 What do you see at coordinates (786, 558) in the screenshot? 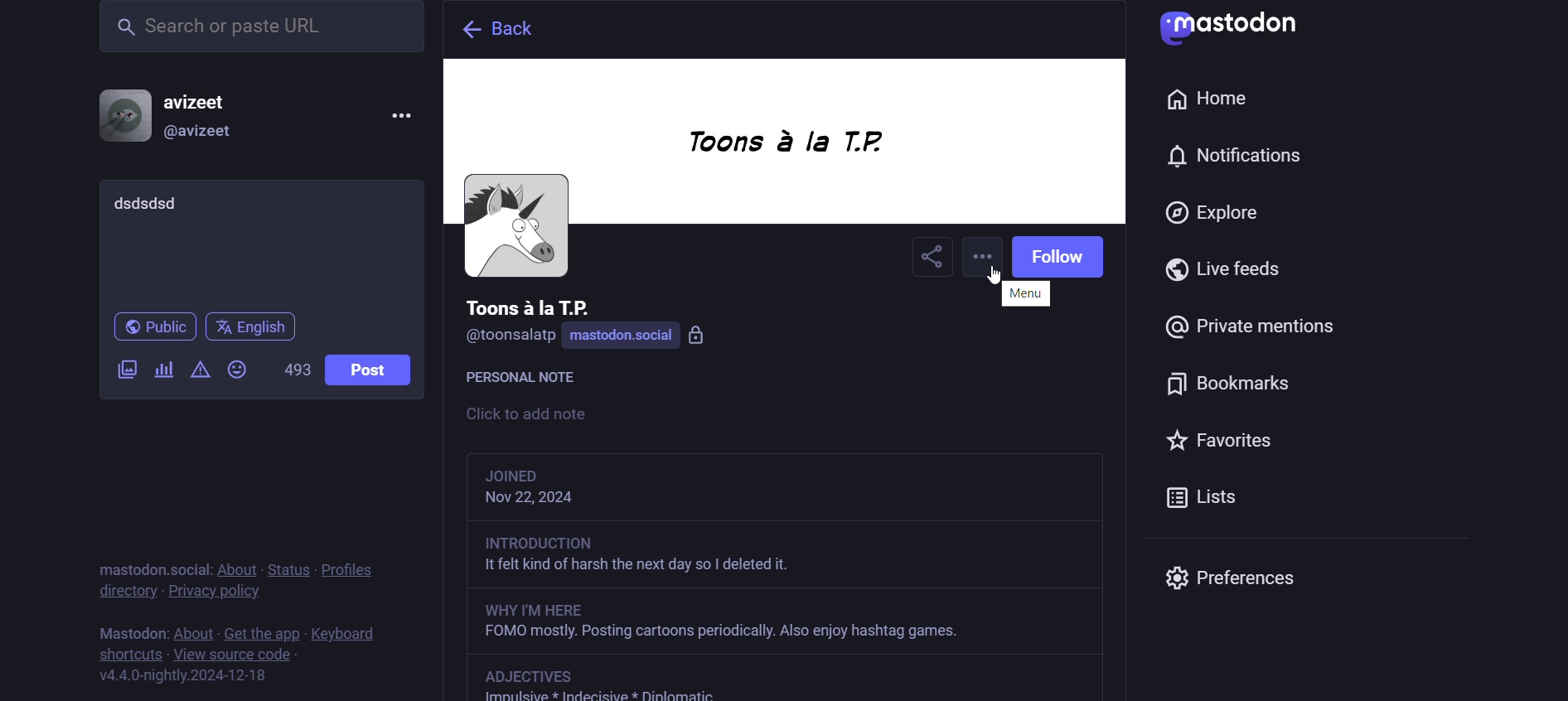
I see `` at bounding box center [786, 558].